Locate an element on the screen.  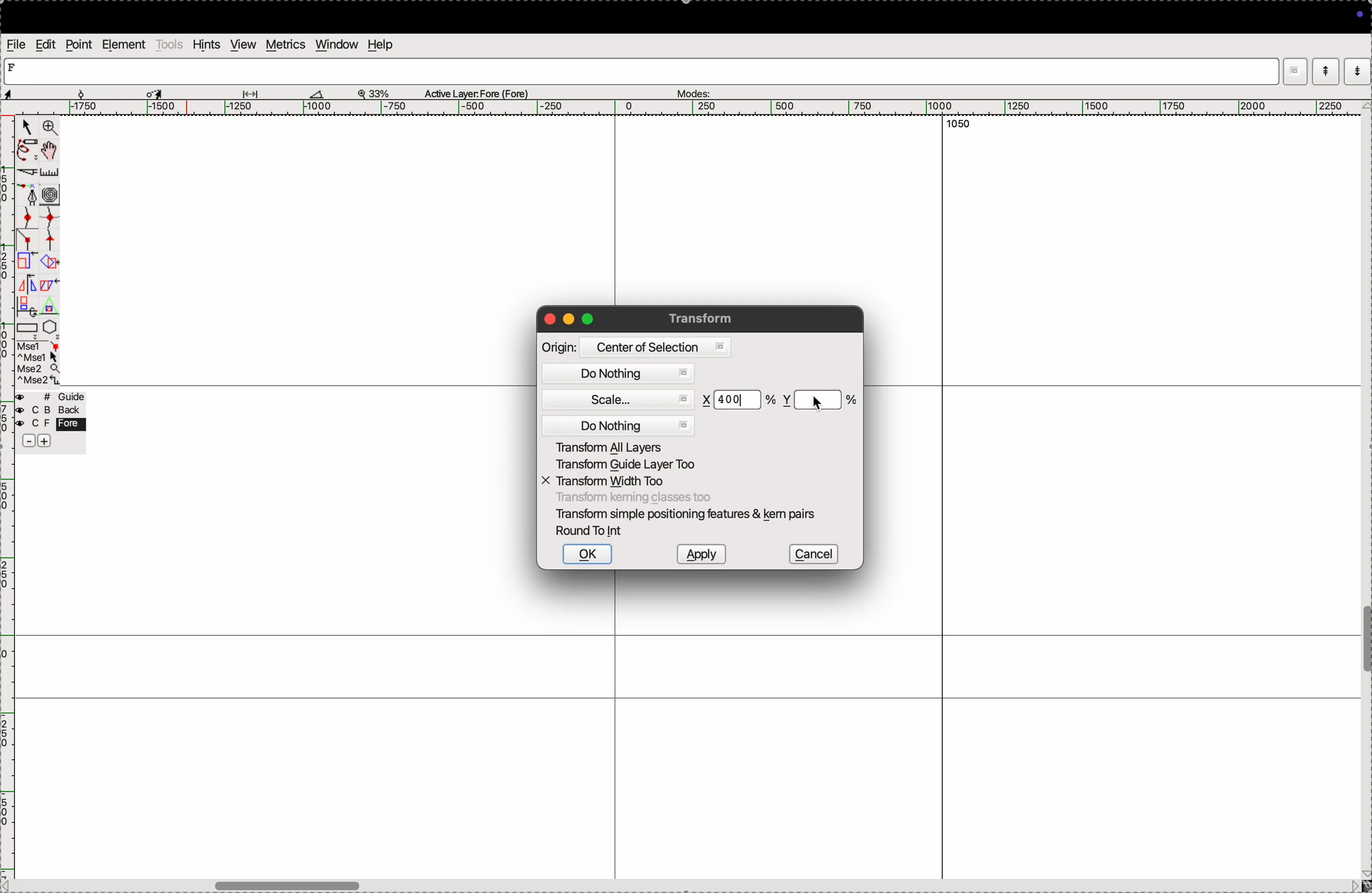
transform is located at coordinates (704, 318).